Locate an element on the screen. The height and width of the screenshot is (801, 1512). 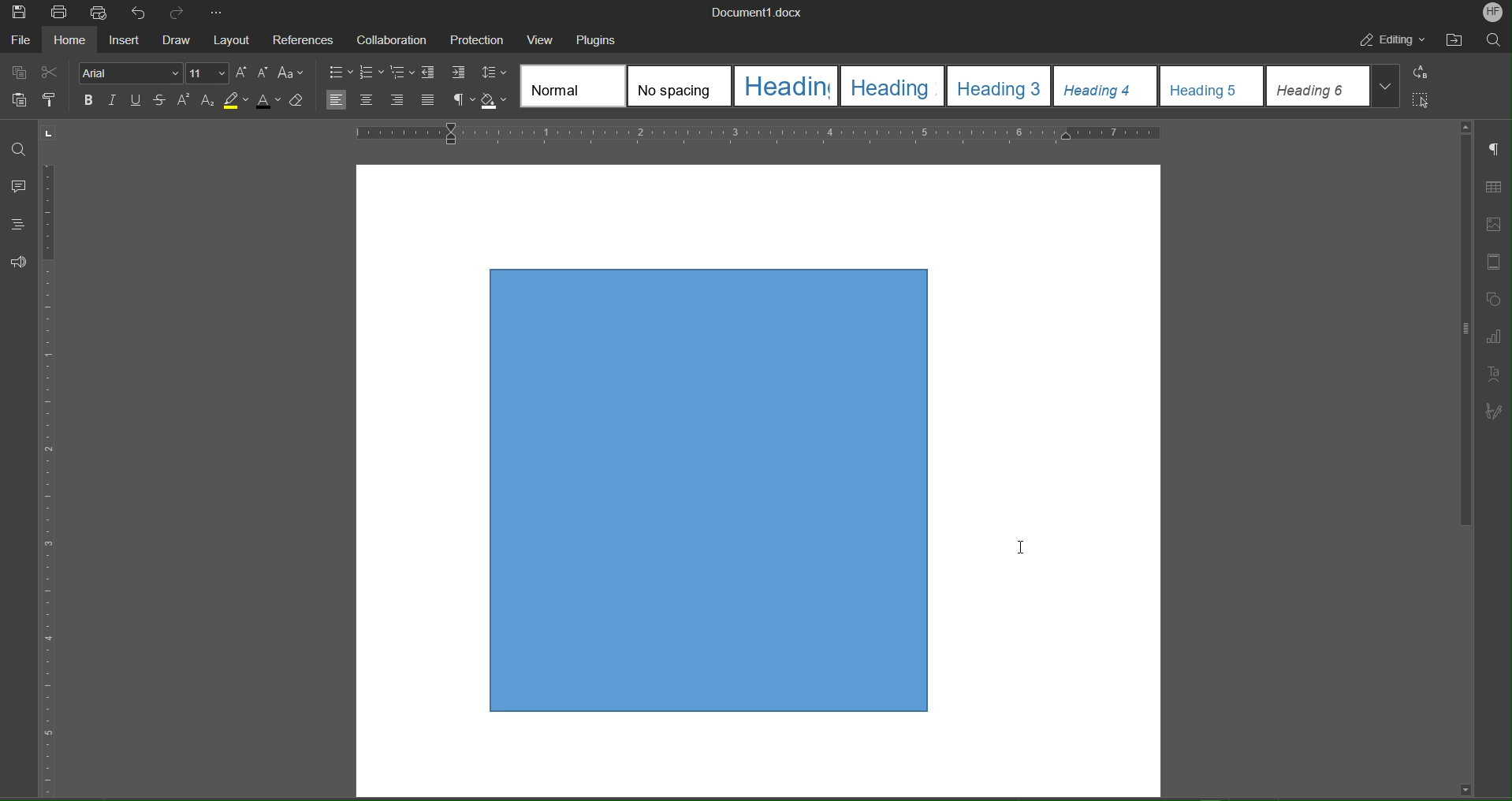
Bullet List is located at coordinates (340, 71).